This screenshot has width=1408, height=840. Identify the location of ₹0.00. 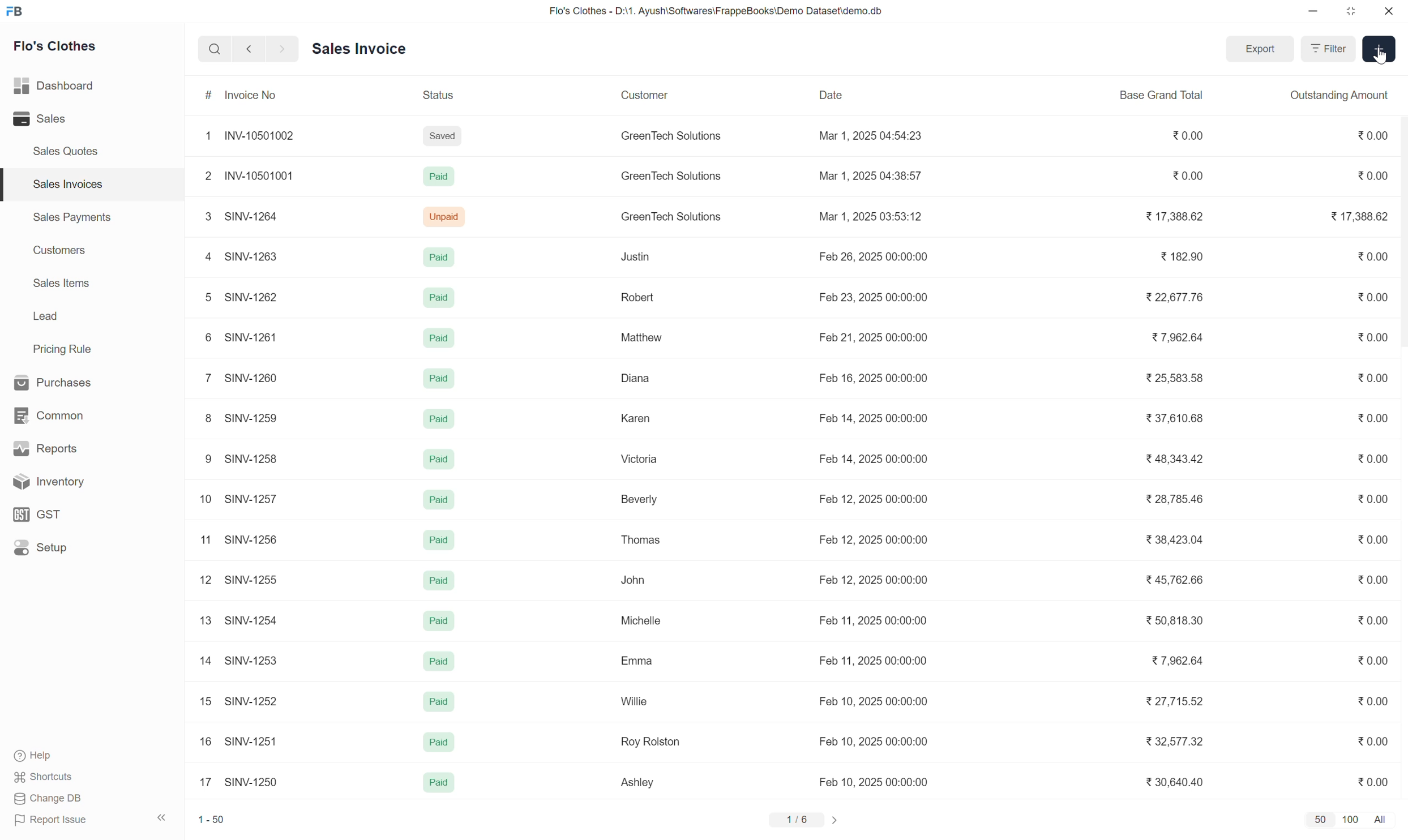
(1187, 177).